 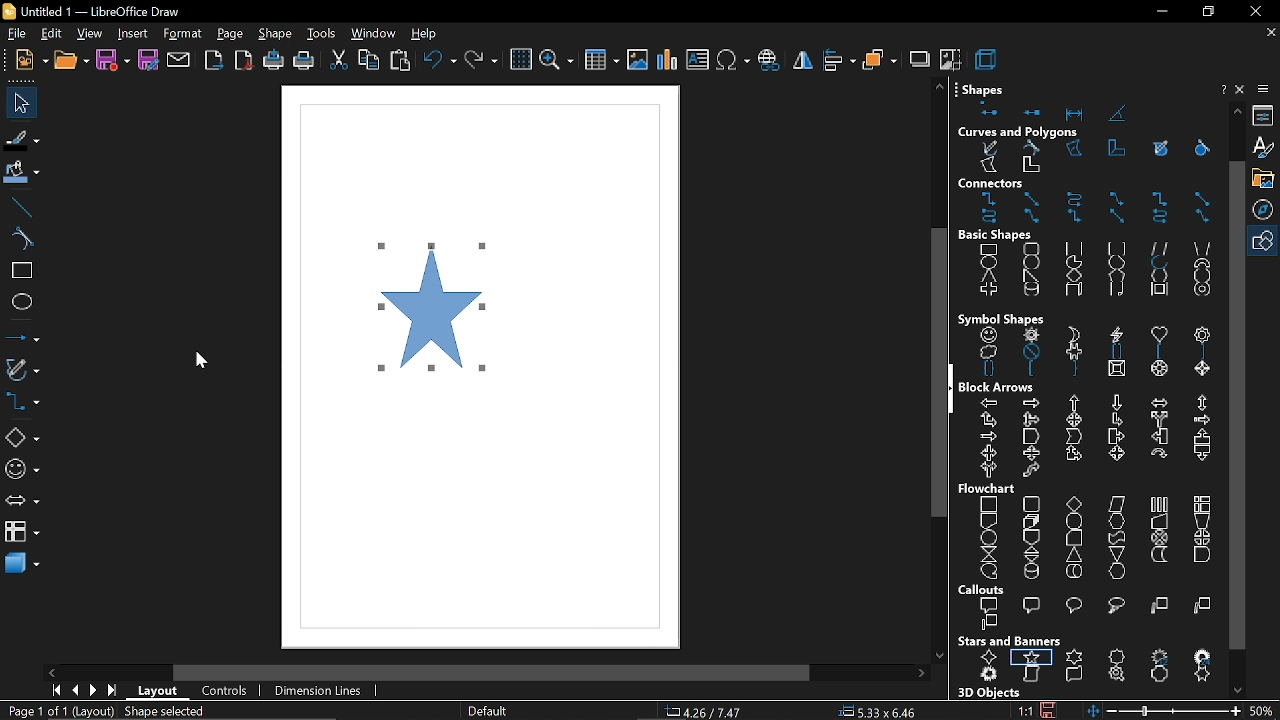 What do you see at coordinates (35, 711) in the screenshot?
I see `current page` at bounding box center [35, 711].